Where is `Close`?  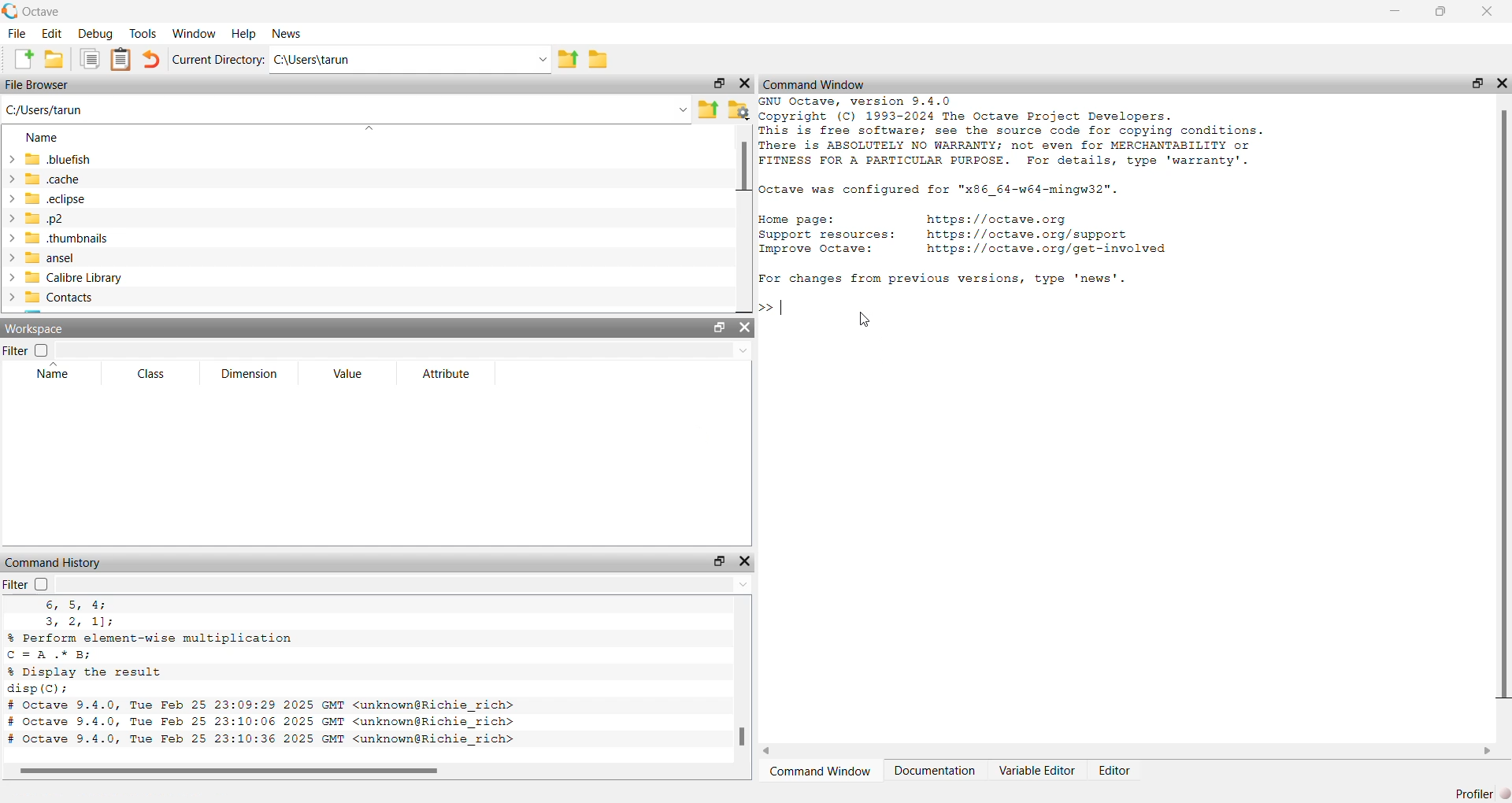 Close is located at coordinates (744, 83).